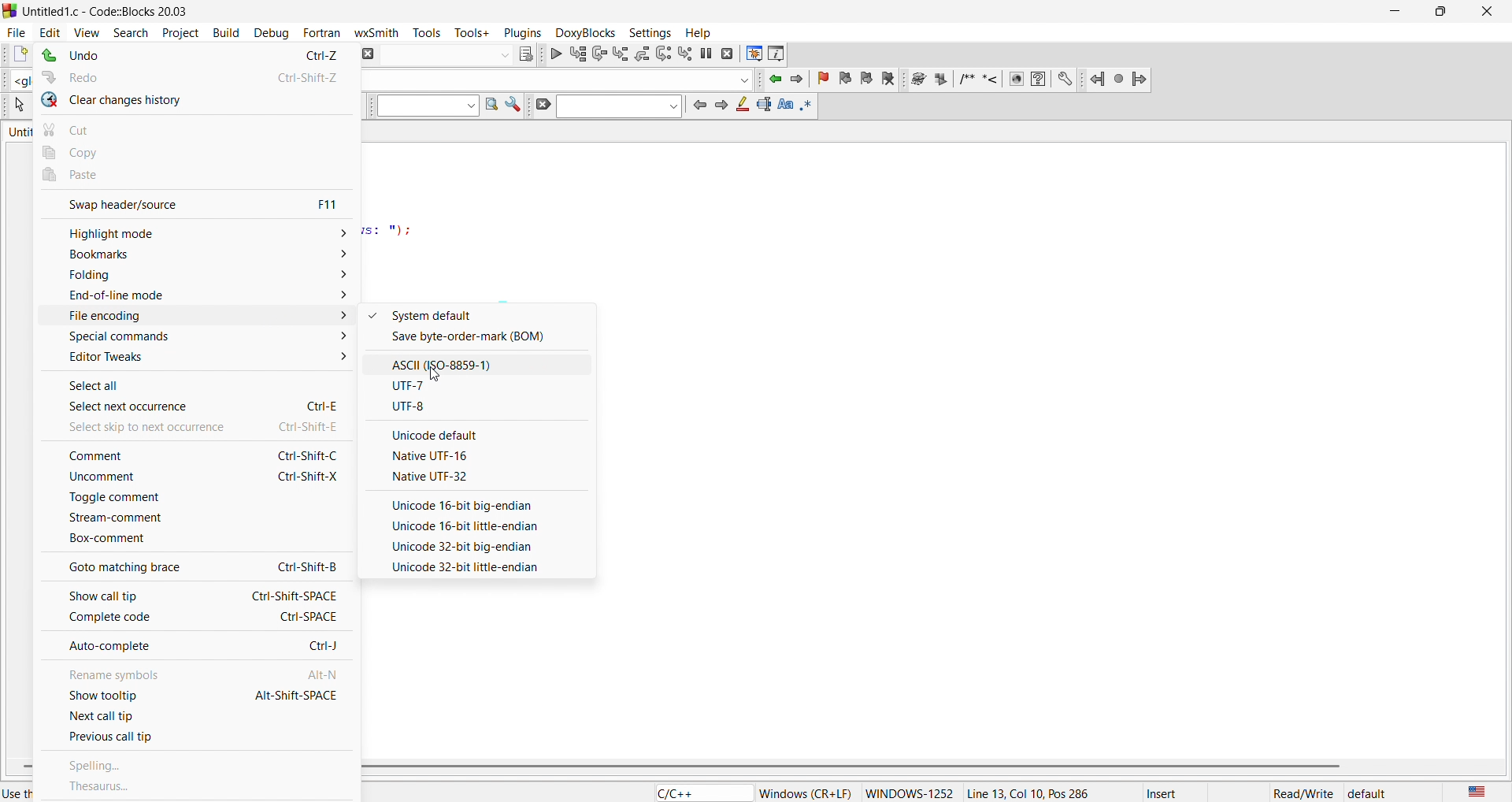 This screenshot has height=802, width=1512. I want to click on file, so click(16, 33).